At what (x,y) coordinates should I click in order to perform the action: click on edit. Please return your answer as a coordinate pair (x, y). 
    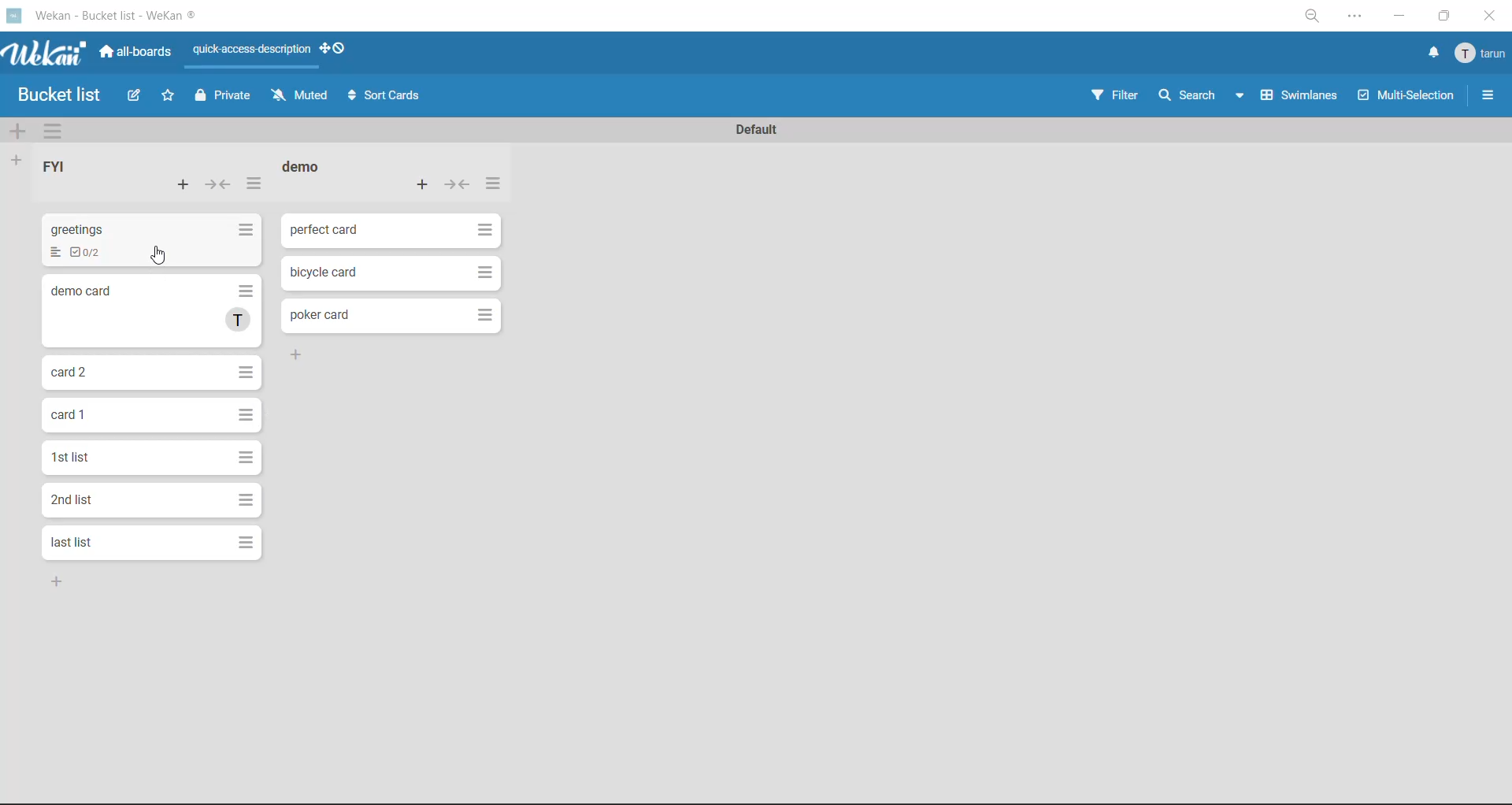
    Looking at the image, I should click on (135, 99).